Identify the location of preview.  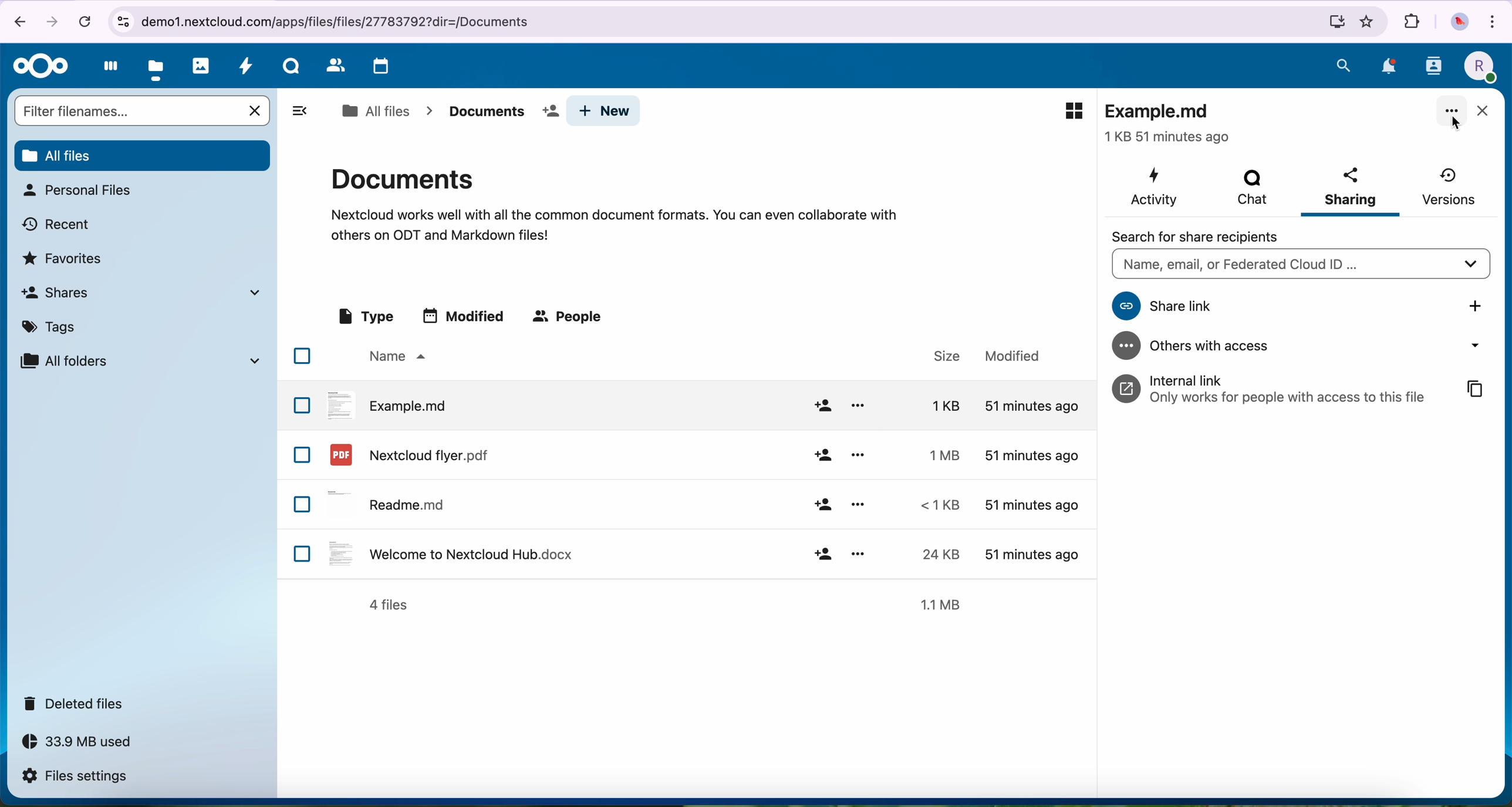
(1074, 111).